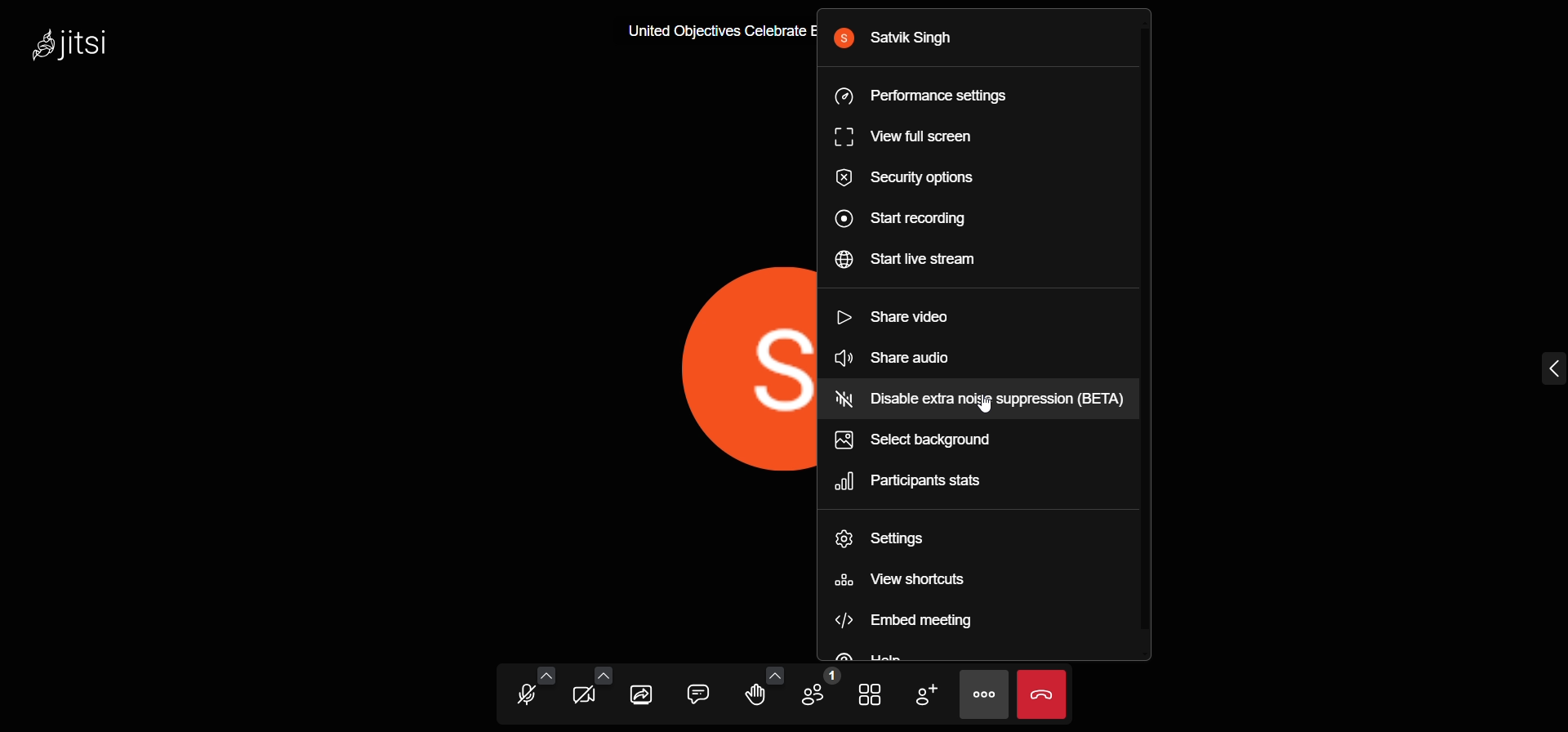 The image size is (1568, 732). I want to click on more, so click(981, 696).